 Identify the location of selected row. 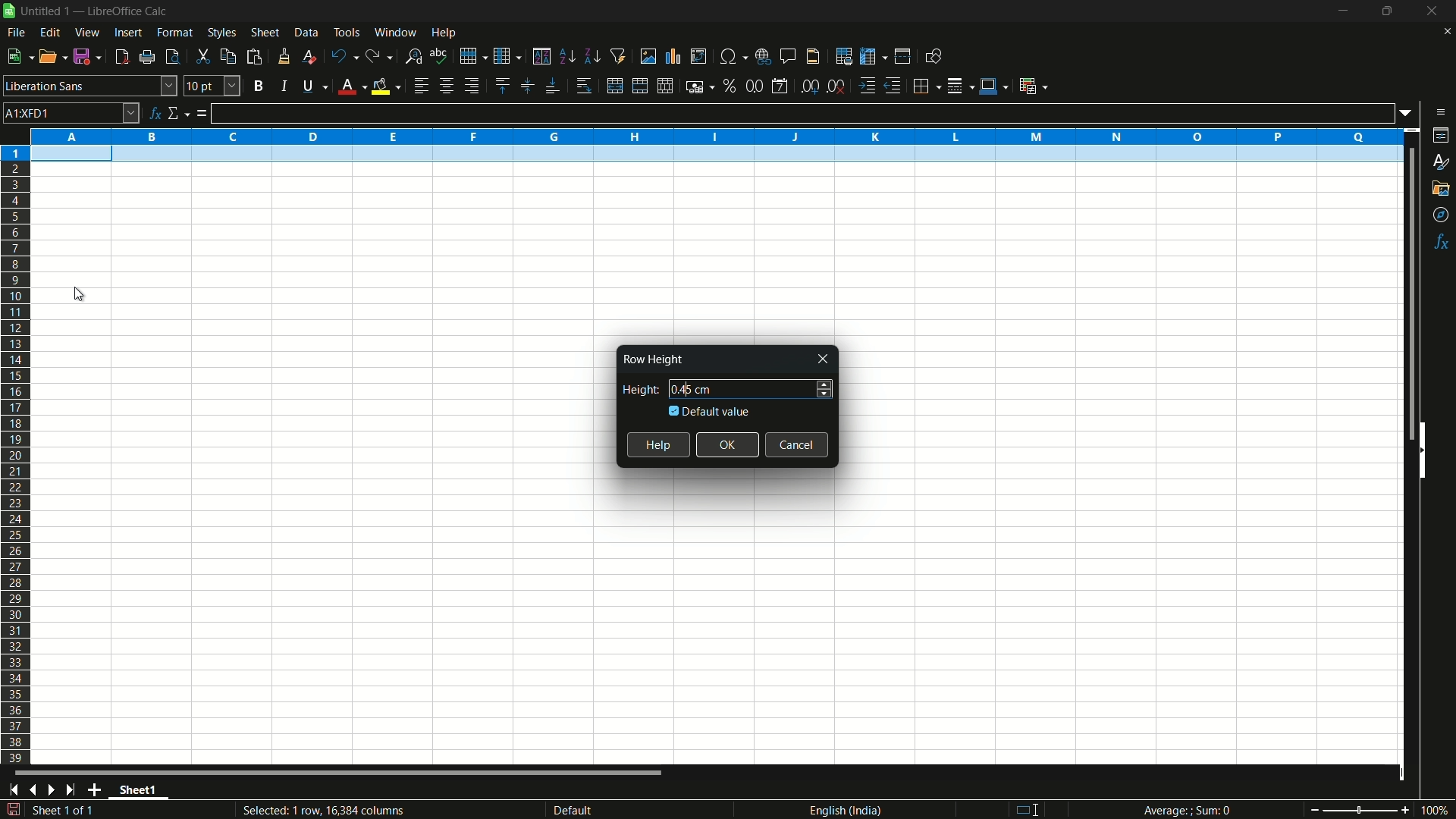
(711, 155).